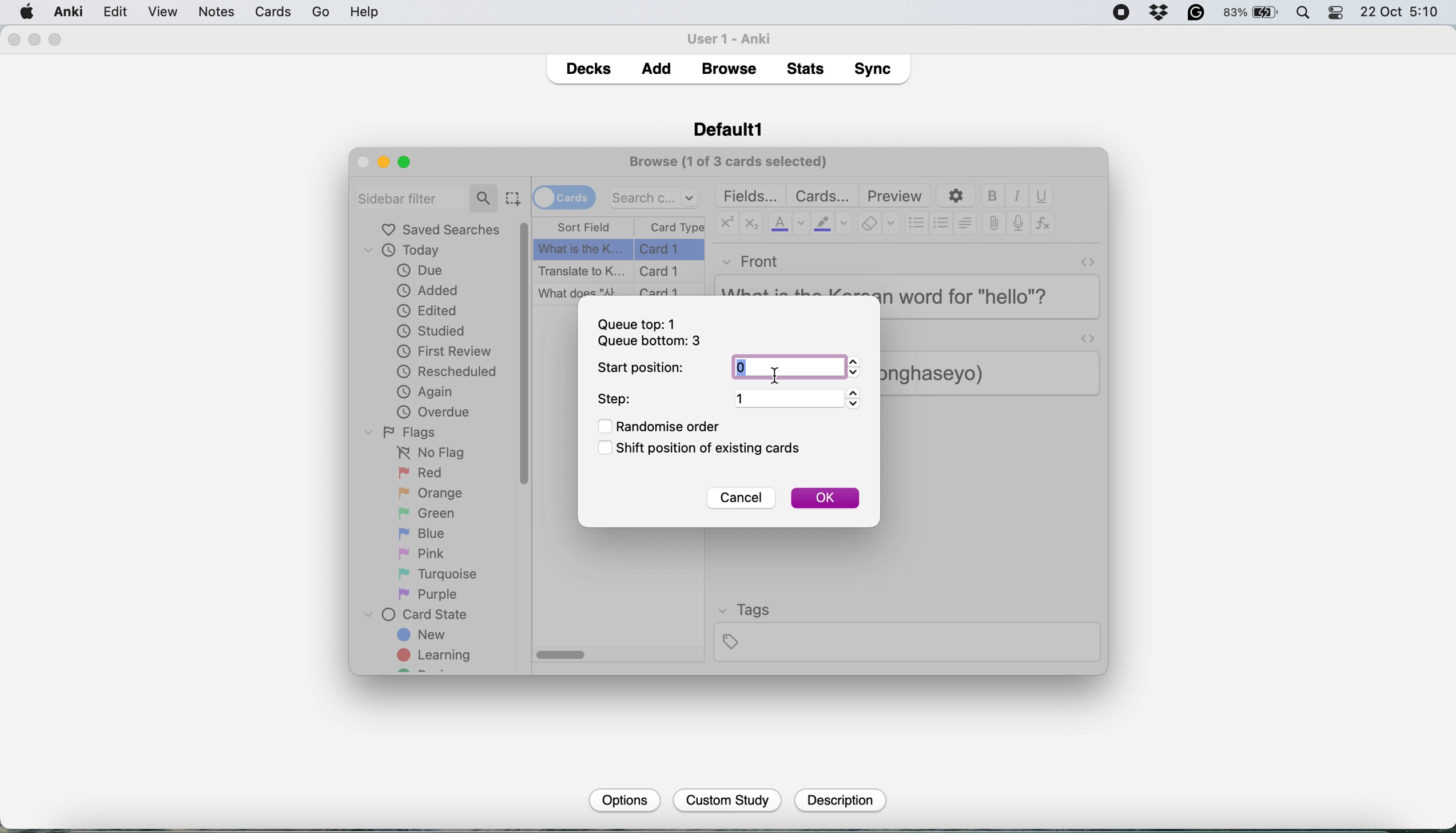  I want to click on screen recorder, so click(1121, 14).